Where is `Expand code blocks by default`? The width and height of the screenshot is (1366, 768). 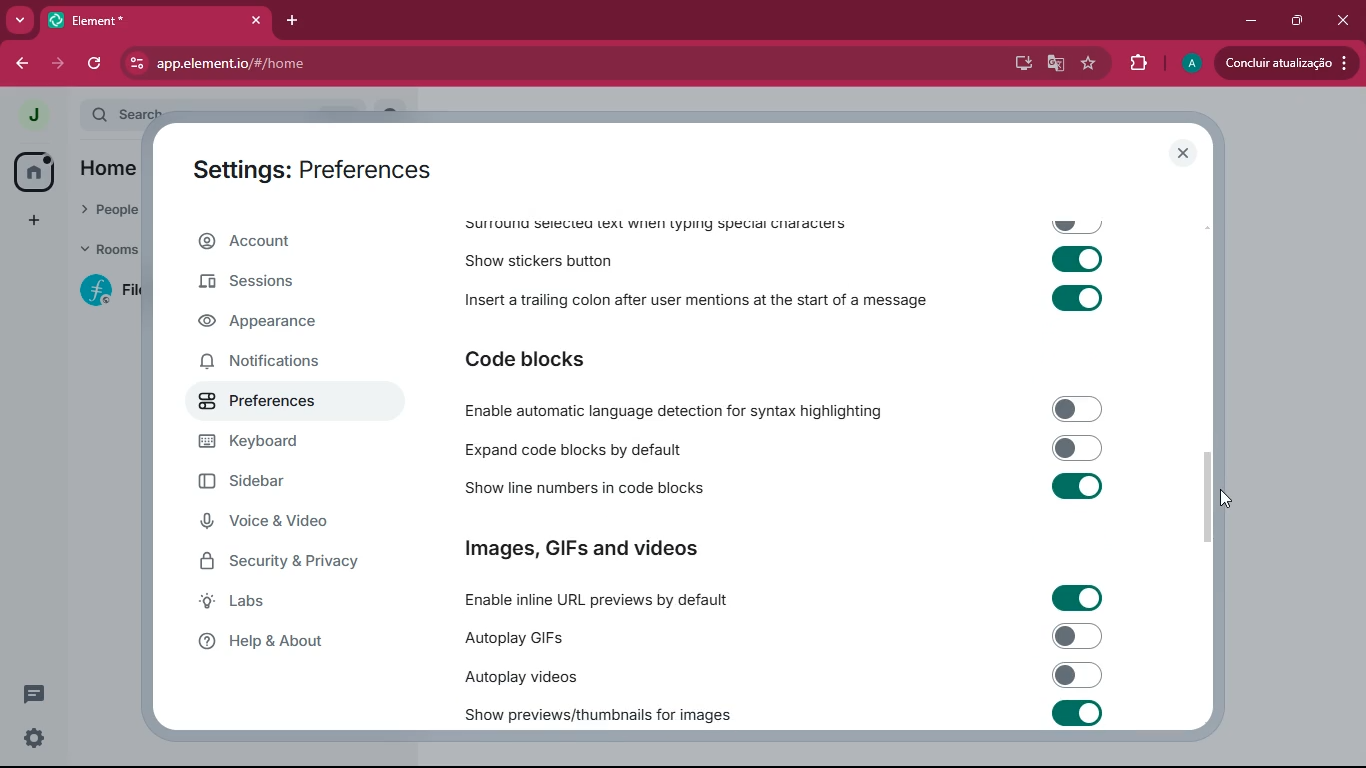 Expand code blocks by default is located at coordinates (780, 448).